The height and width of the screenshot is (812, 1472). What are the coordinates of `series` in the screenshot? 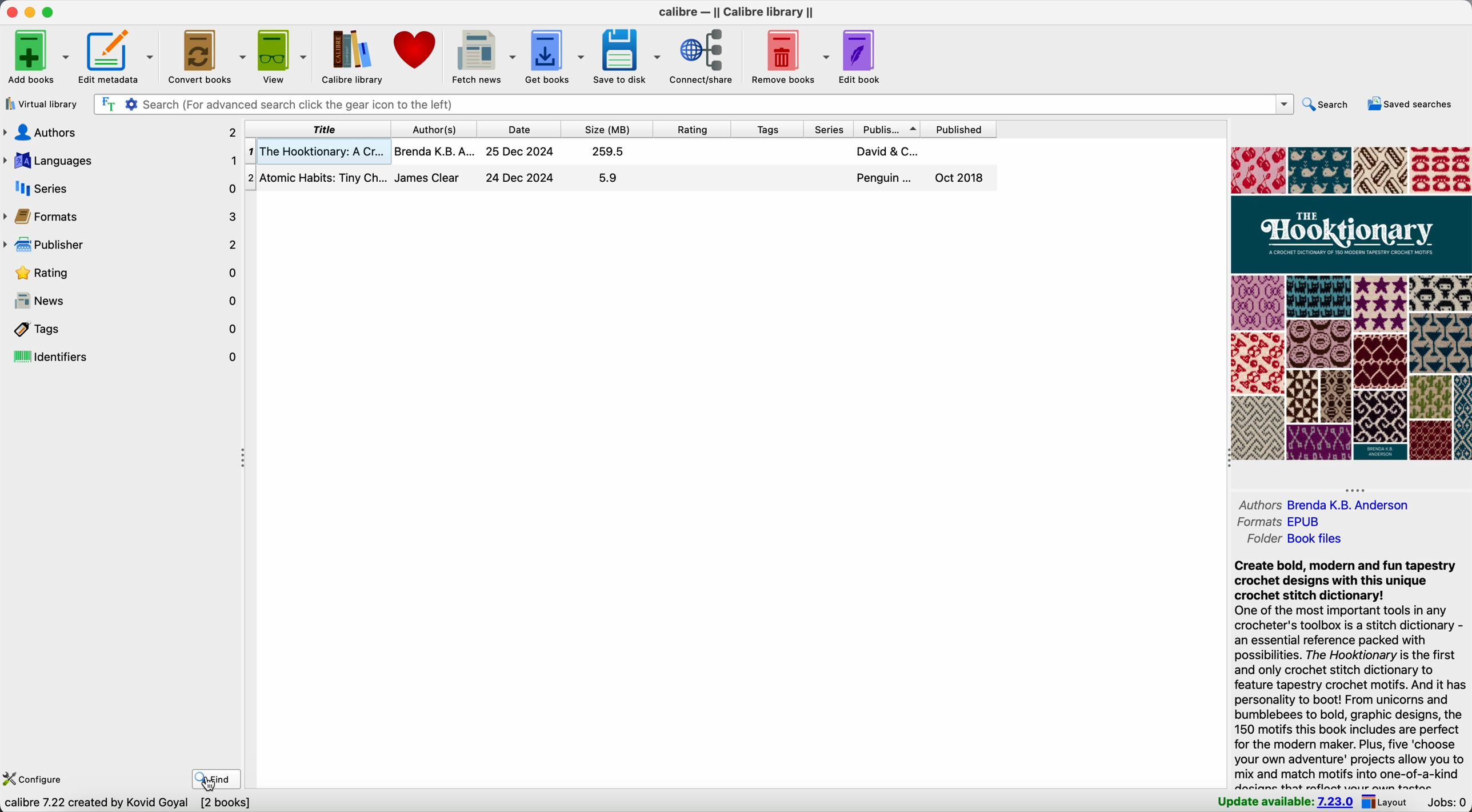 It's located at (831, 129).